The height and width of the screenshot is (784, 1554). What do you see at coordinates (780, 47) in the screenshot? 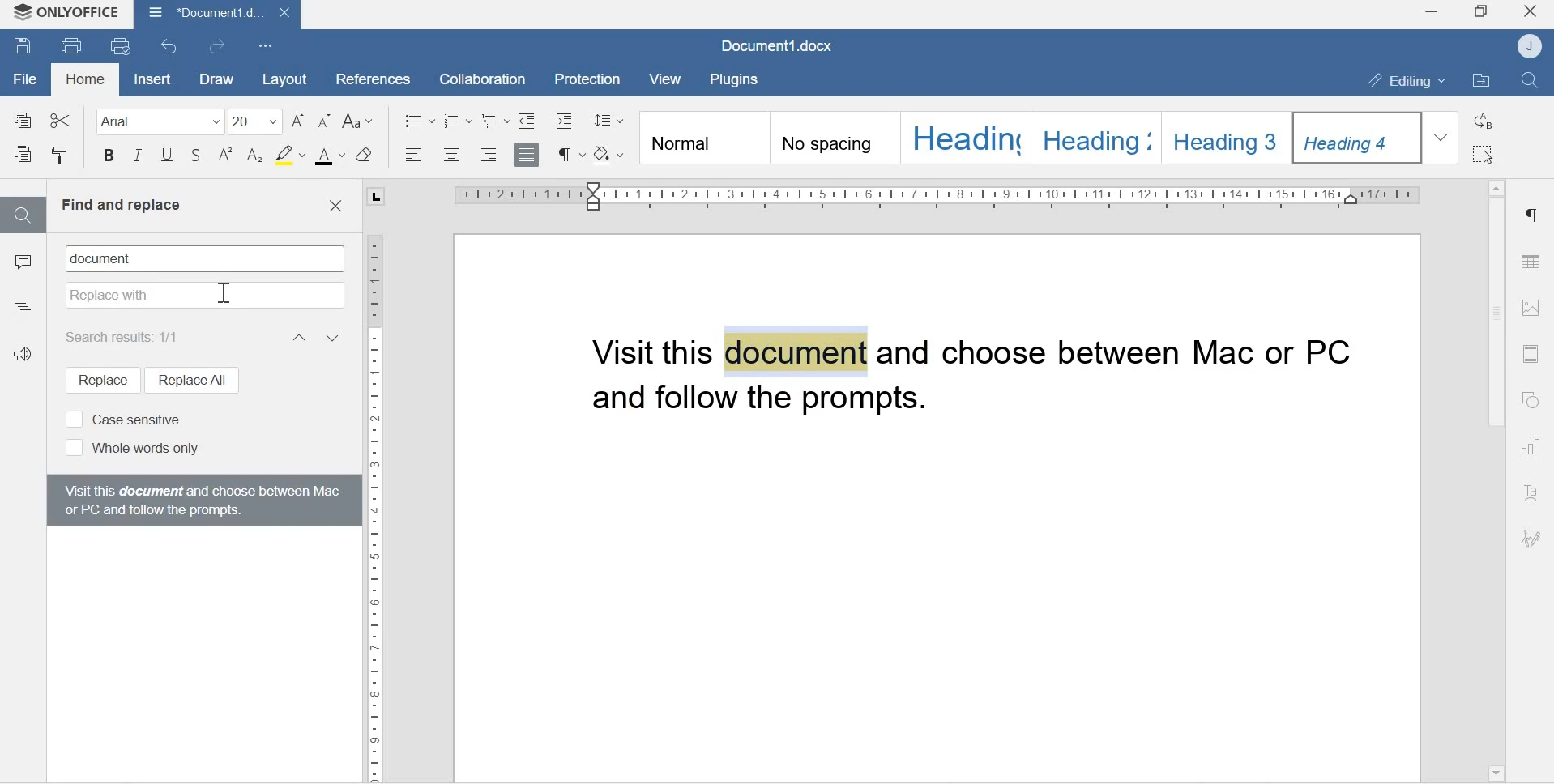
I see `Document1.docx` at bounding box center [780, 47].